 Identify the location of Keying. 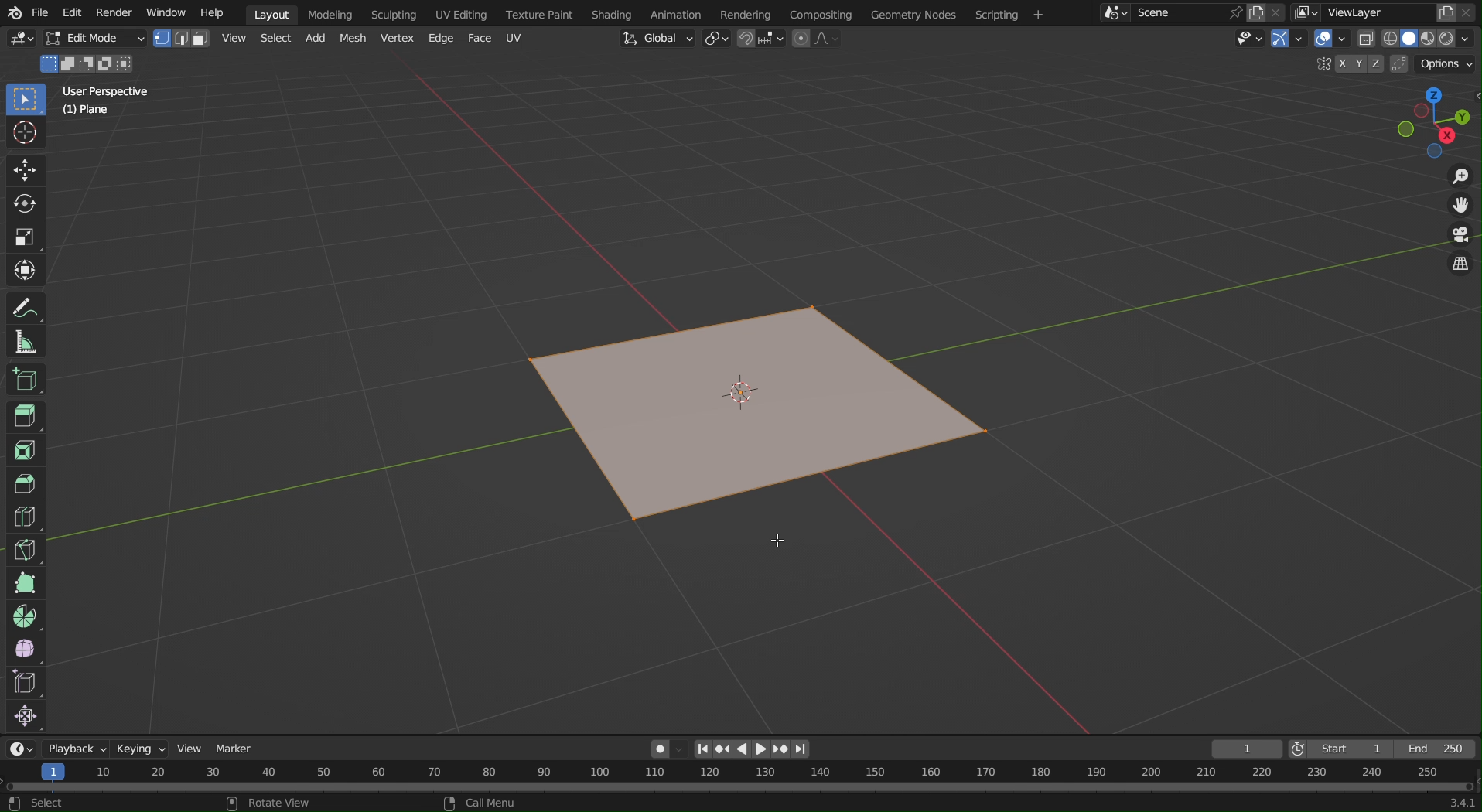
(142, 749).